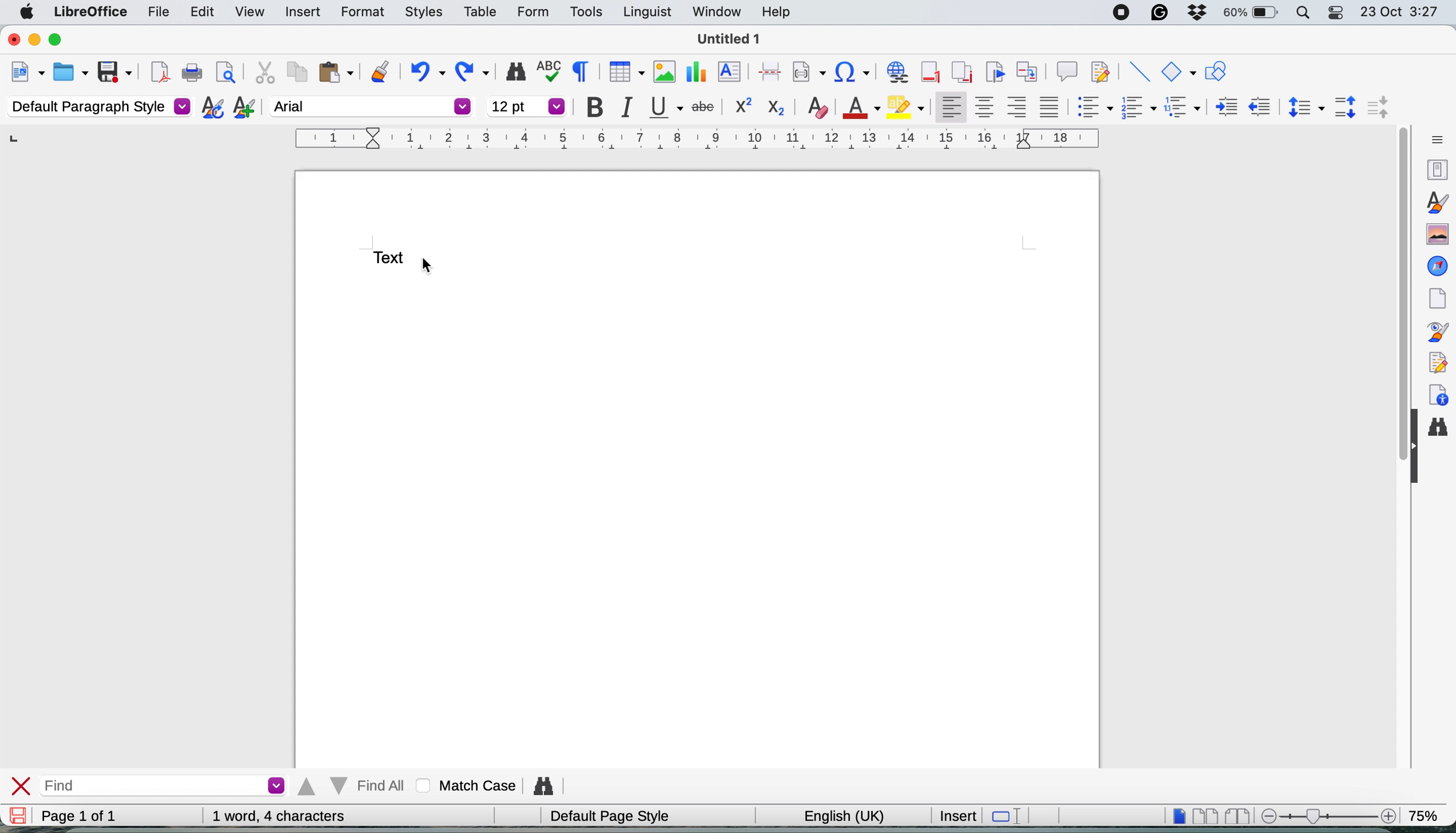  Describe the element at coordinates (279, 816) in the screenshot. I see `word and character count` at that location.